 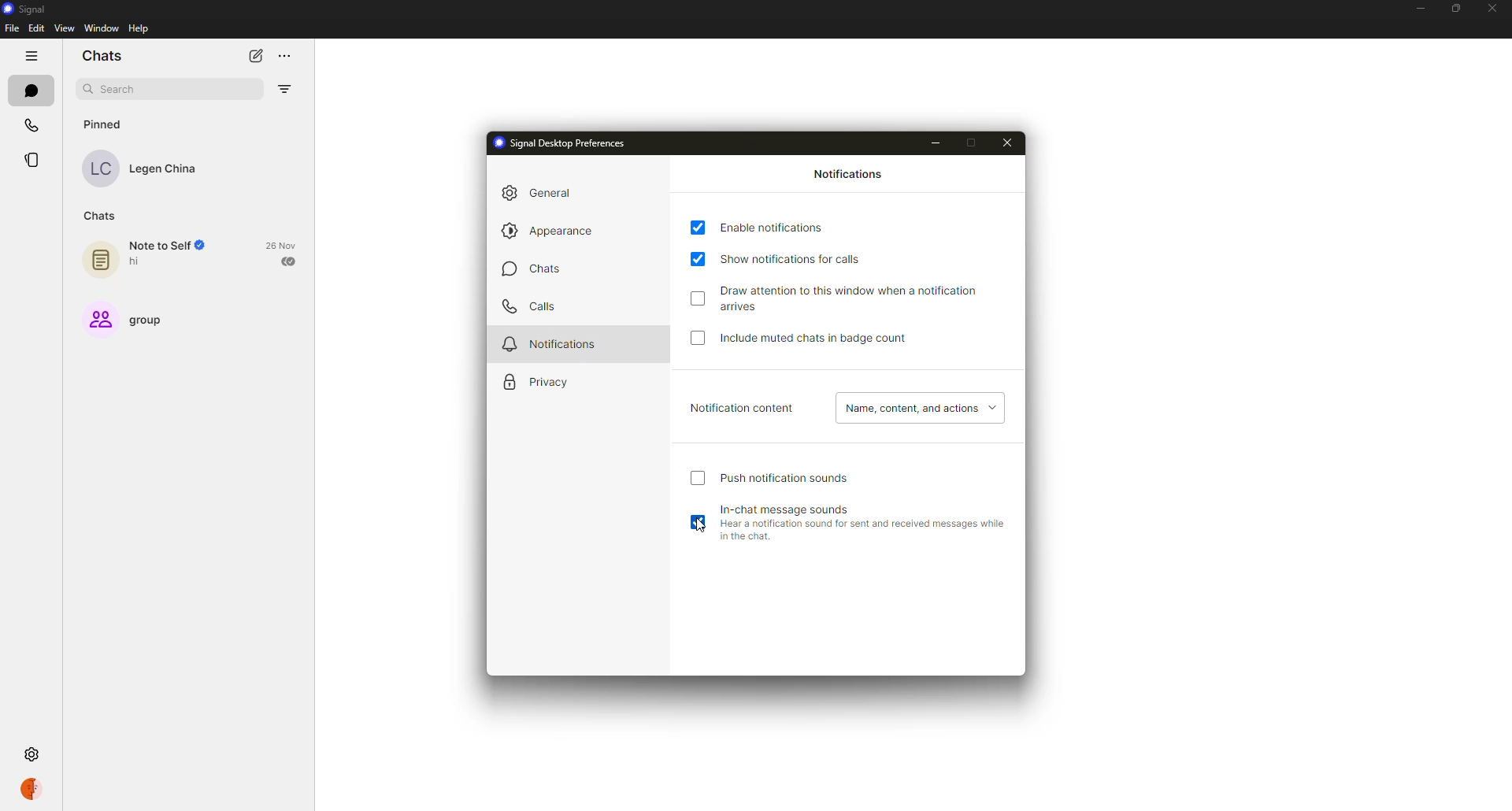 What do you see at coordinates (31, 756) in the screenshot?
I see `settings` at bounding box center [31, 756].